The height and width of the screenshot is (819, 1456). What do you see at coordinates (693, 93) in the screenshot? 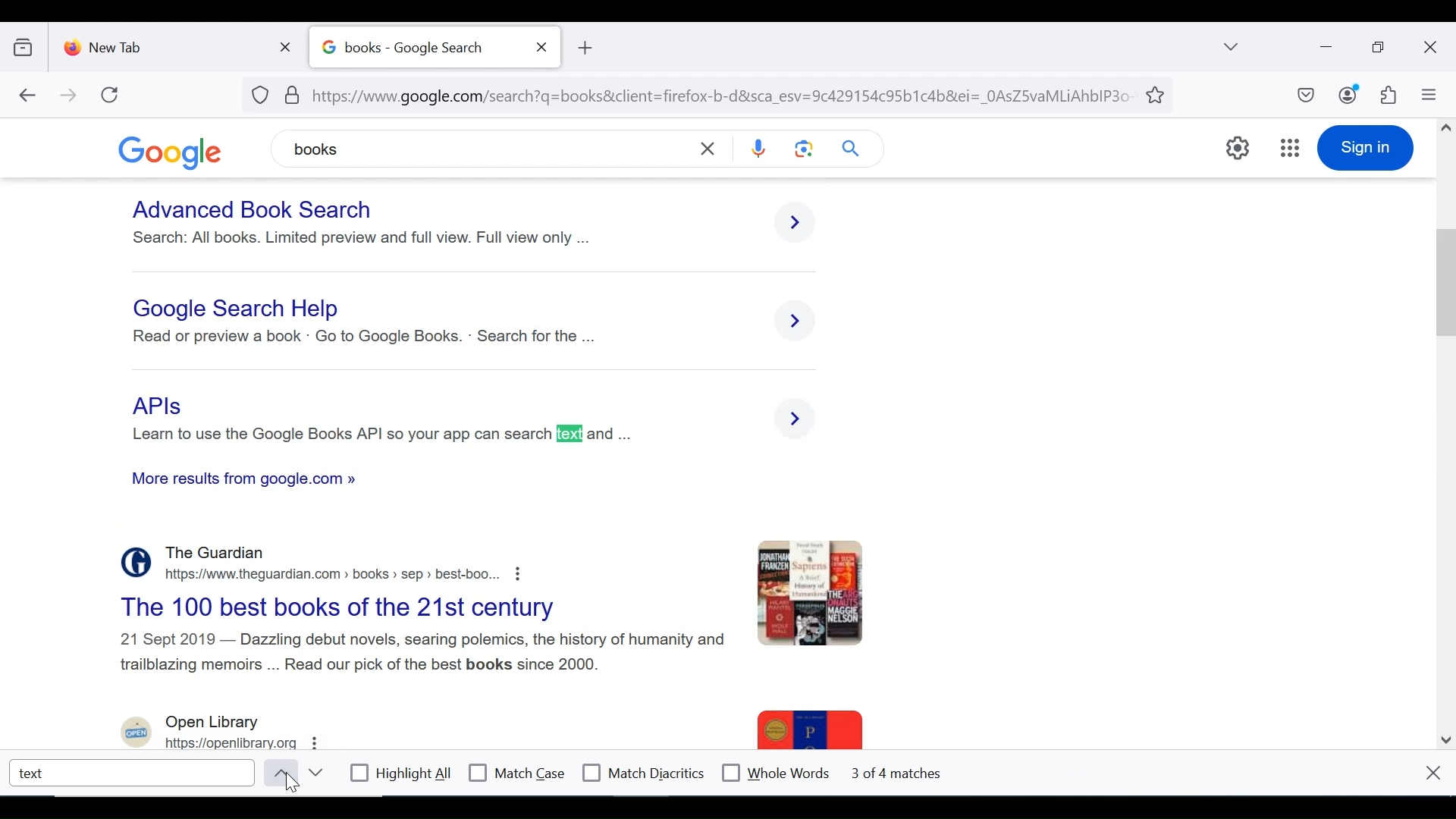
I see `url` at bounding box center [693, 93].